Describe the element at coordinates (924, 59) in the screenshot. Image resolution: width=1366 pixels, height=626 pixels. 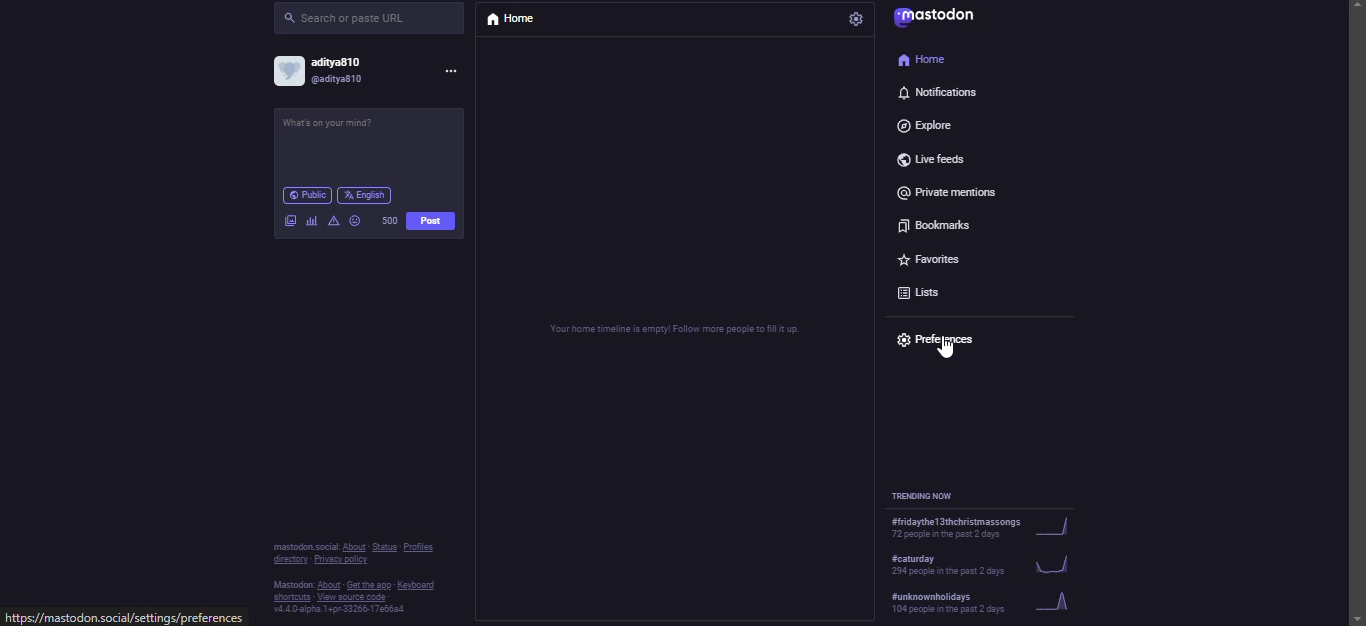
I see `home` at that location.